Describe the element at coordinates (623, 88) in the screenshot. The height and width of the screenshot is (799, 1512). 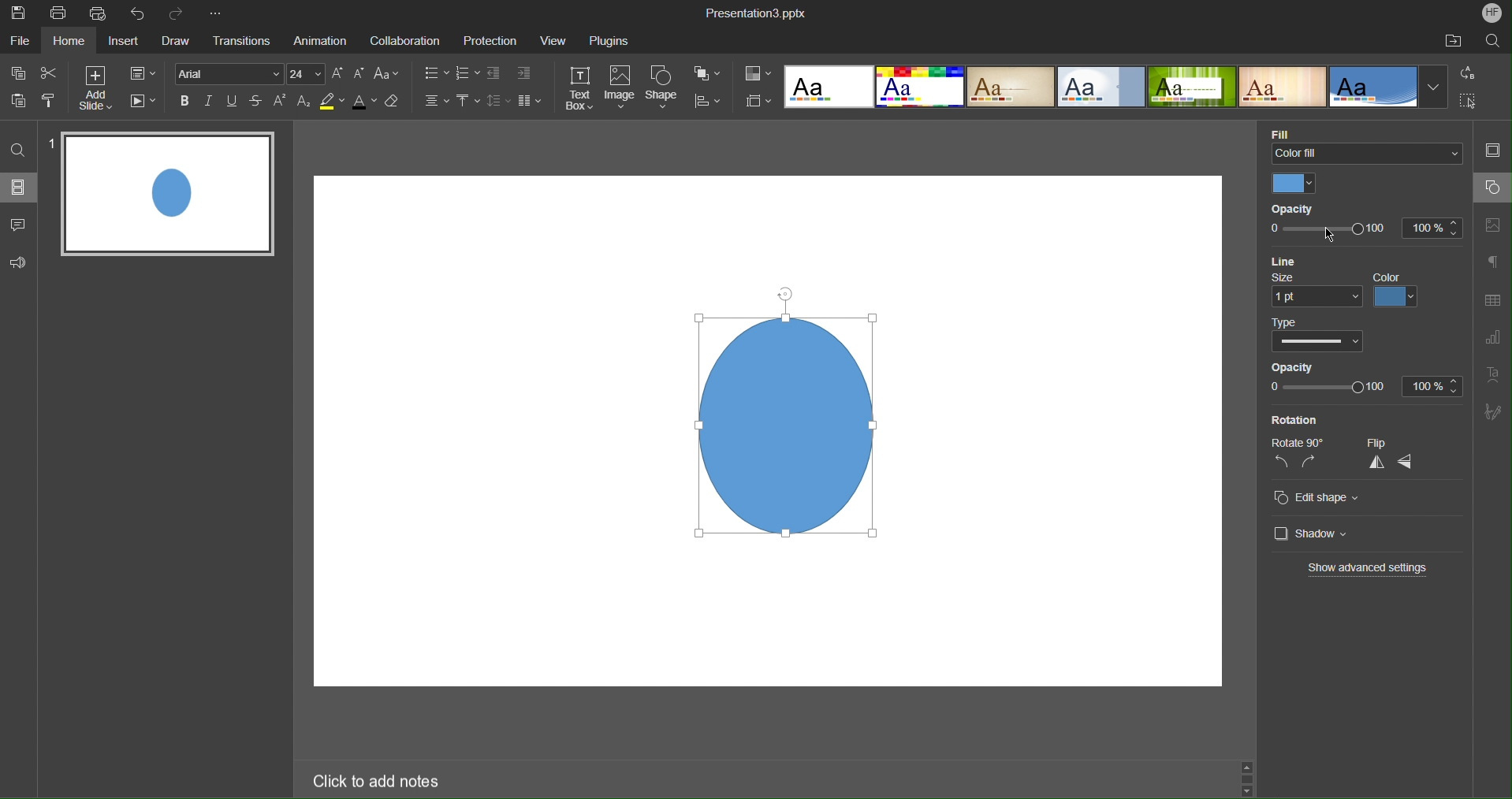
I see `Image` at that location.